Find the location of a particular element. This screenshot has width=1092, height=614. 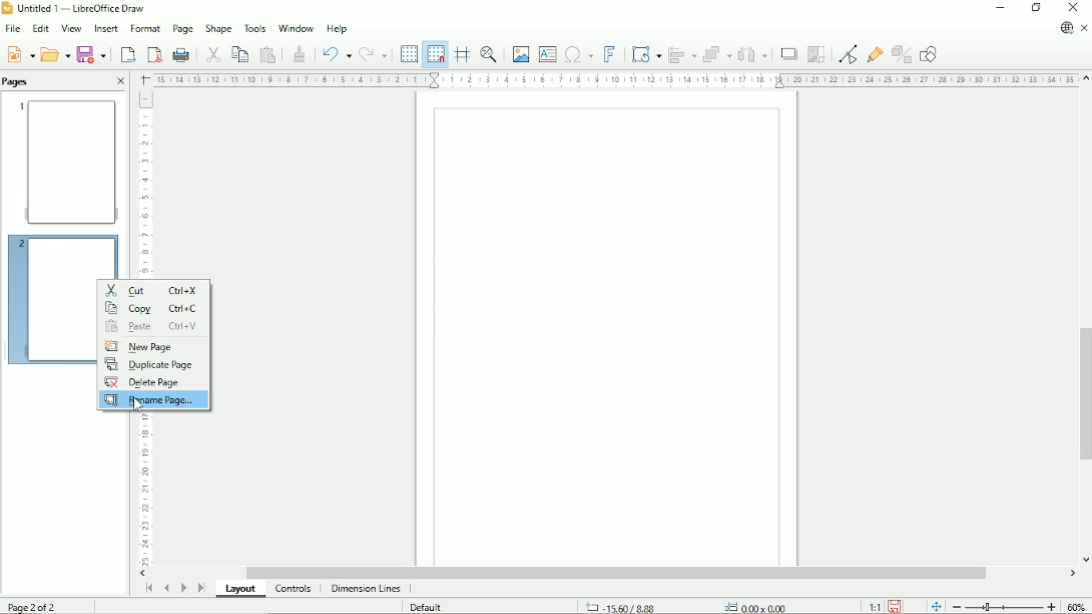

Shadow is located at coordinates (788, 54).